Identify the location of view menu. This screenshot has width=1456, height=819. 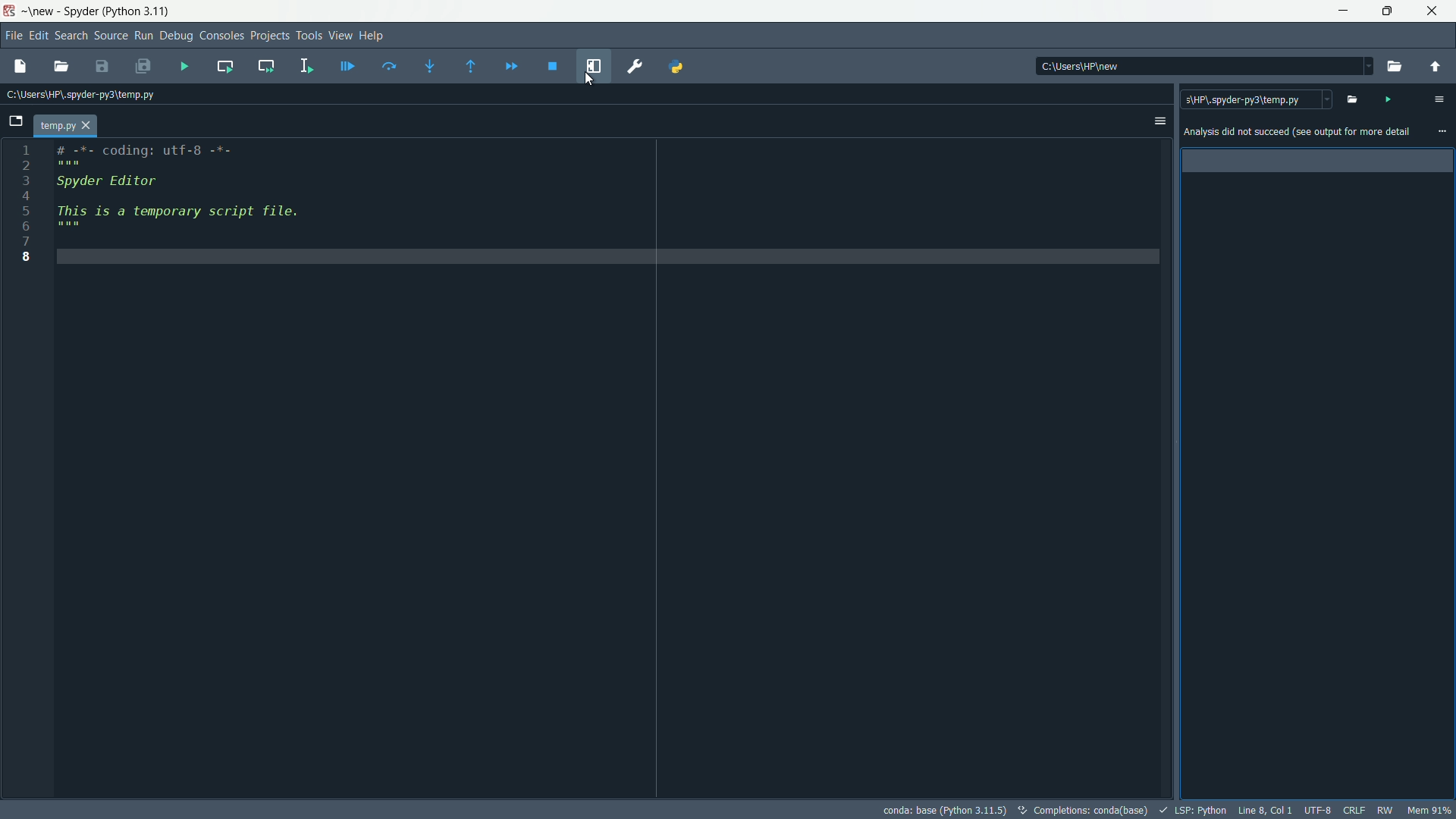
(340, 35).